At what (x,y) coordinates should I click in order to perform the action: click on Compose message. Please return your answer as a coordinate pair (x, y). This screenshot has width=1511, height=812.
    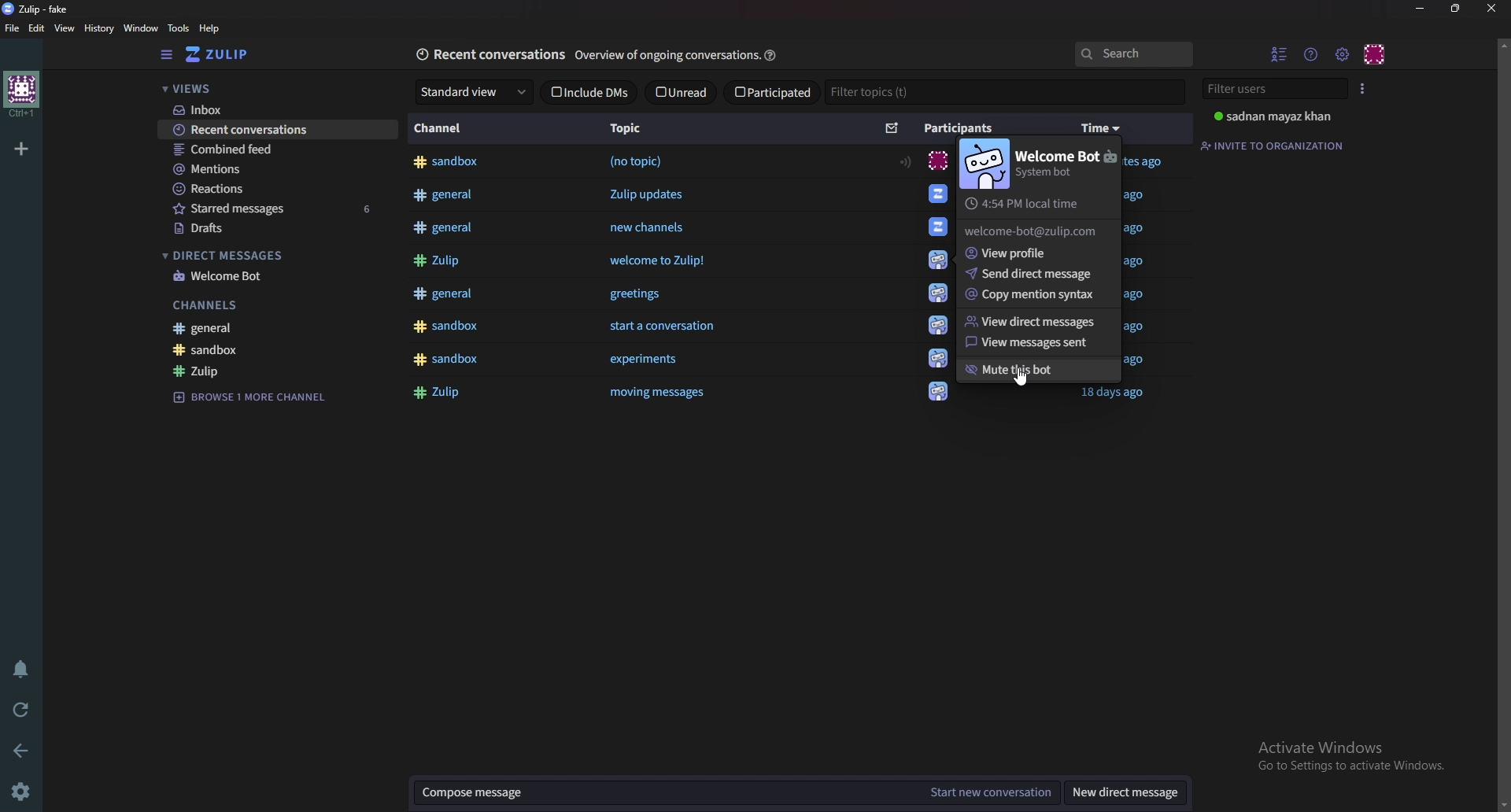
    Looking at the image, I should click on (673, 792).